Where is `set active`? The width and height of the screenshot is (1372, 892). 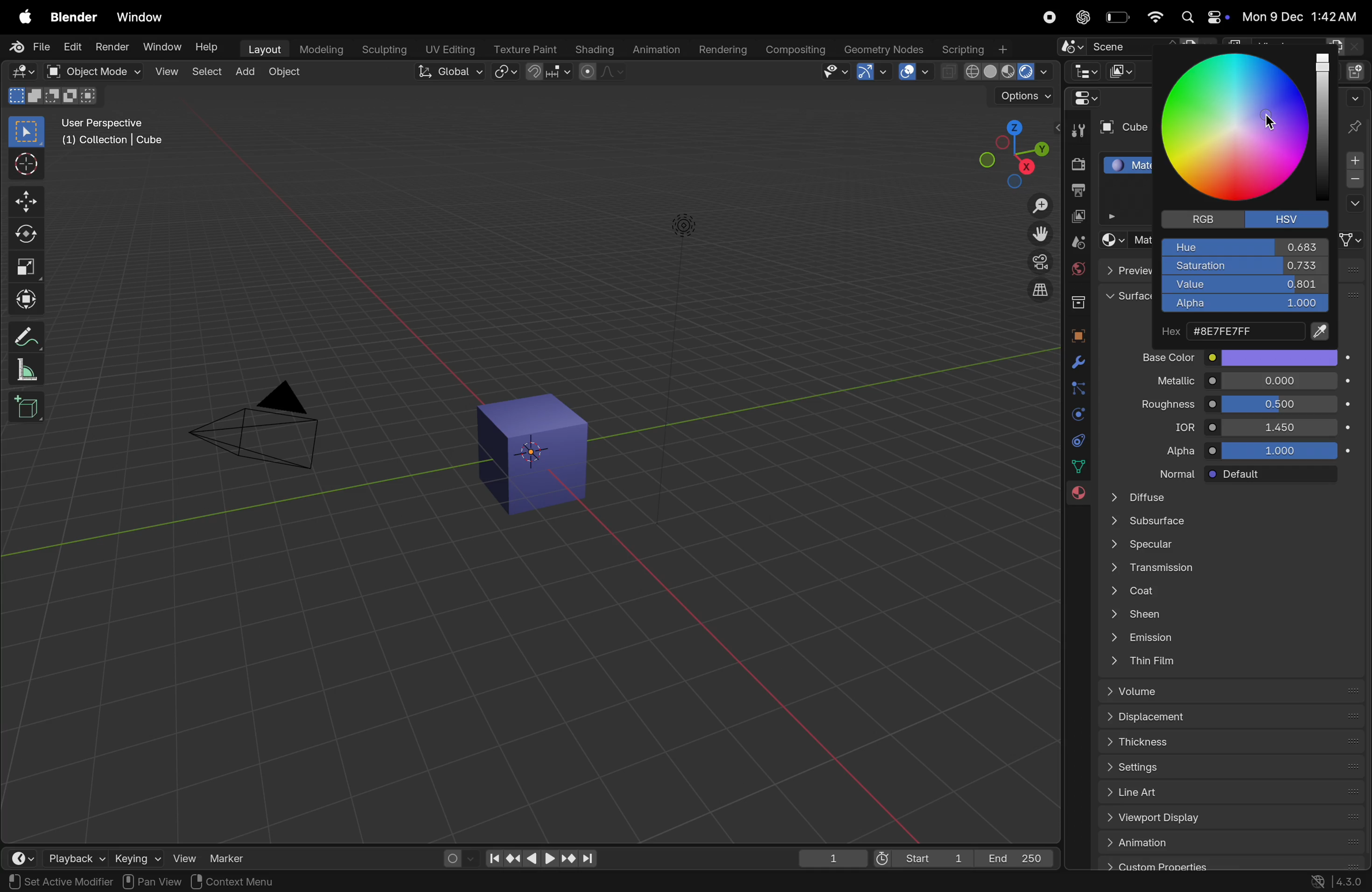 set active is located at coordinates (36, 880).